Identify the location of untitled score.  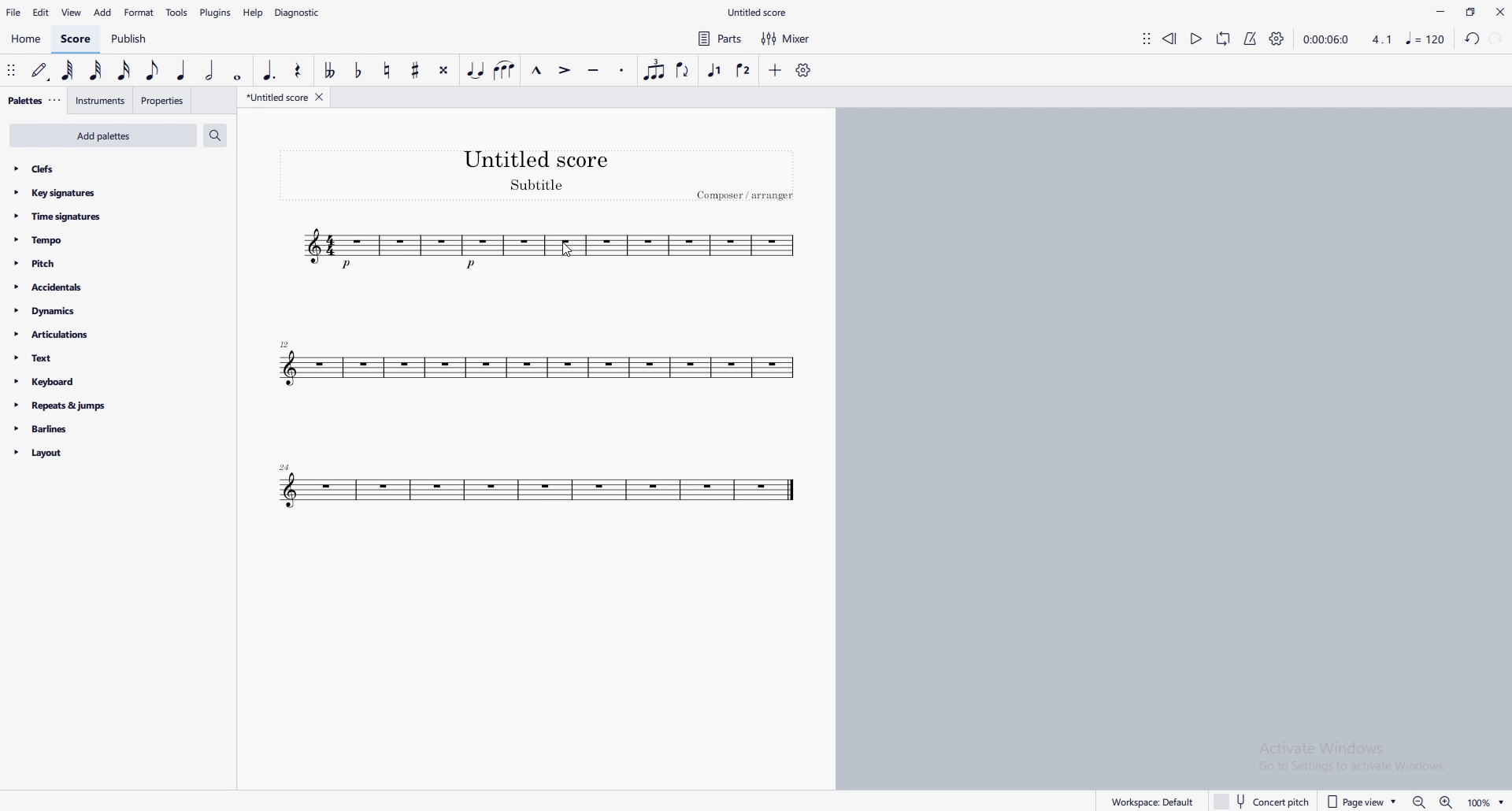
(278, 98).